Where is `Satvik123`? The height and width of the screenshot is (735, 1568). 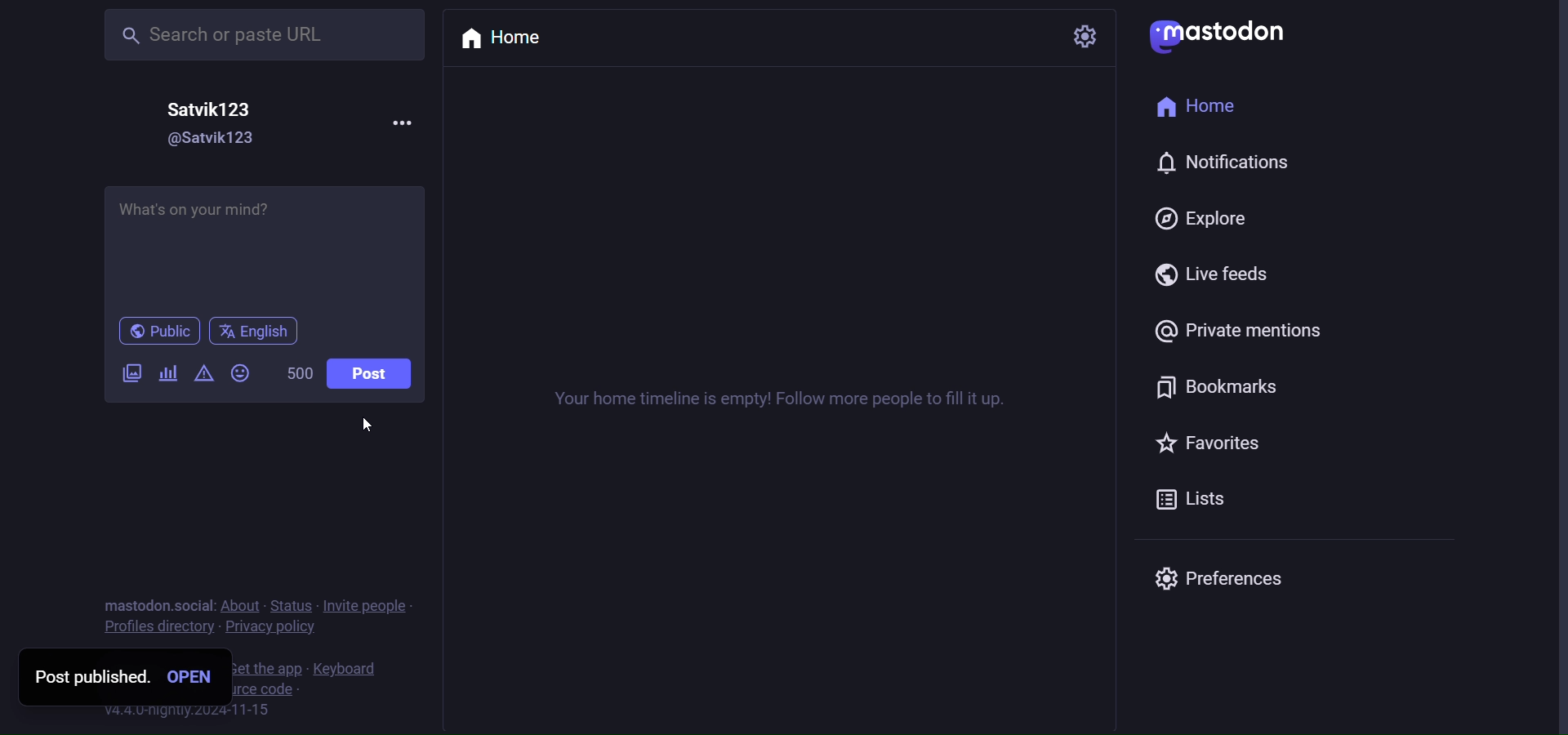 Satvik123 is located at coordinates (216, 107).